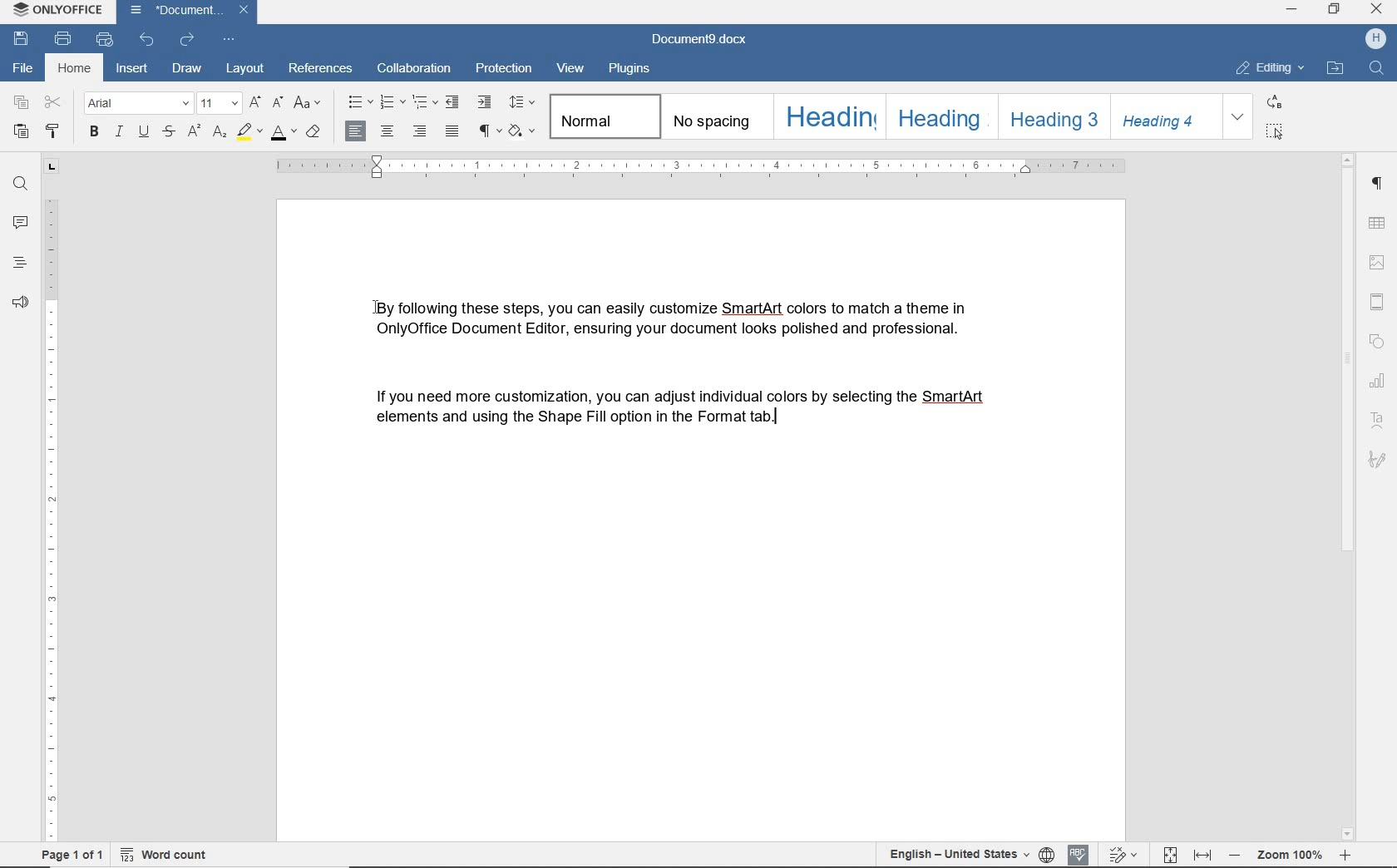 The height and width of the screenshot is (868, 1397). Describe the element at coordinates (229, 39) in the screenshot. I see `customize quick access toolbar` at that location.